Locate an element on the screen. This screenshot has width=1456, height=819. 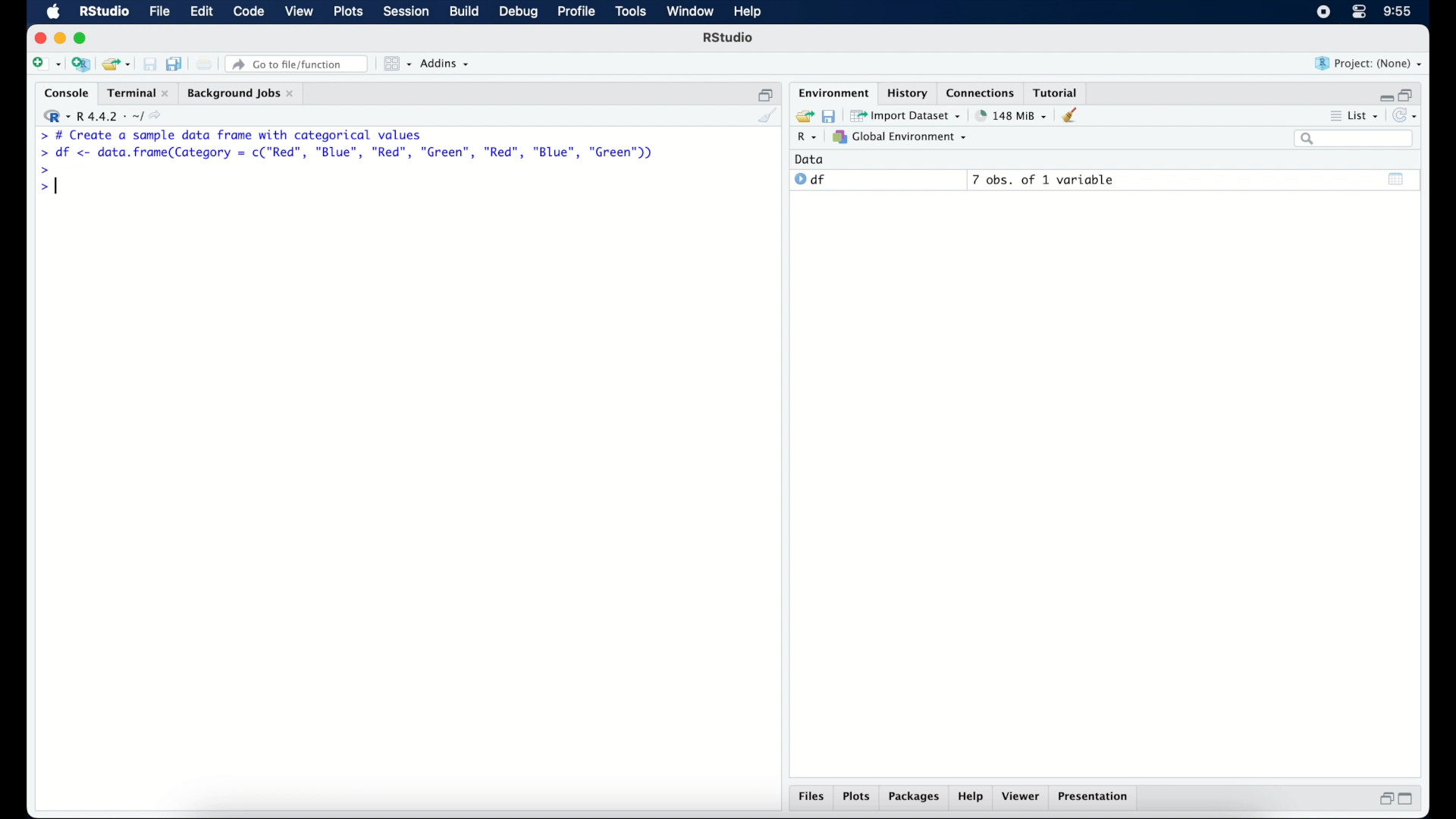
build is located at coordinates (465, 12).